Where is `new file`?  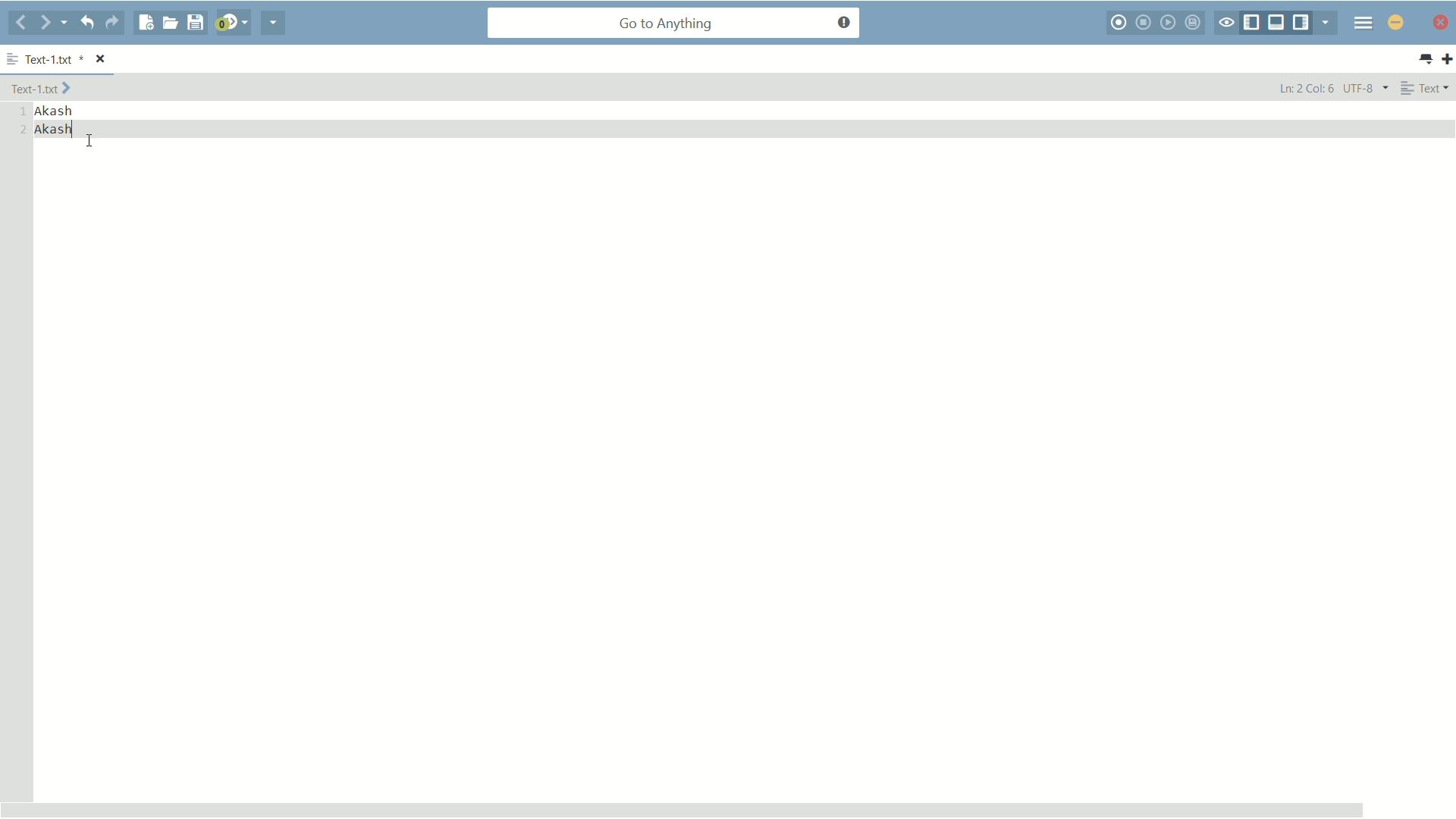 new file is located at coordinates (145, 23).